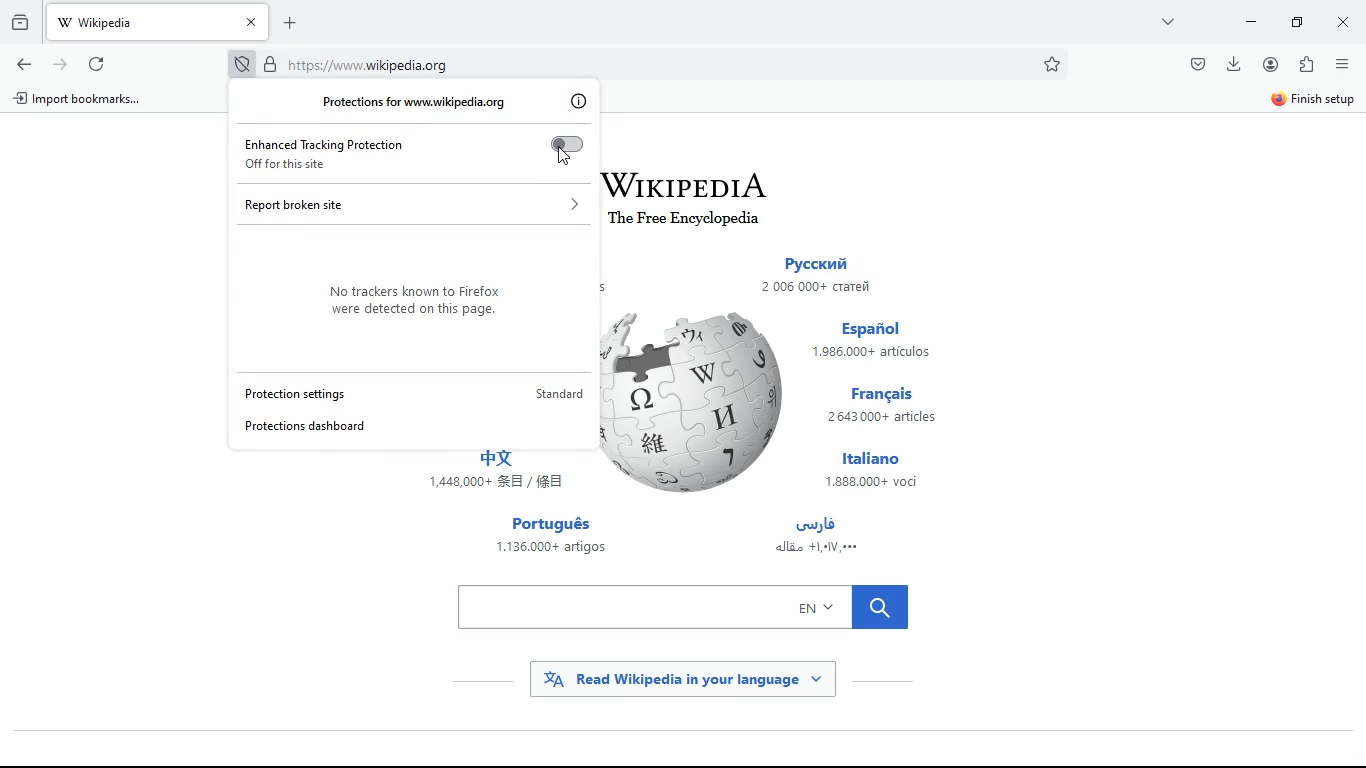 This screenshot has height=768, width=1366. What do you see at coordinates (244, 63) in the screenshot?
I see `protection` at bounding box center [244, 63].